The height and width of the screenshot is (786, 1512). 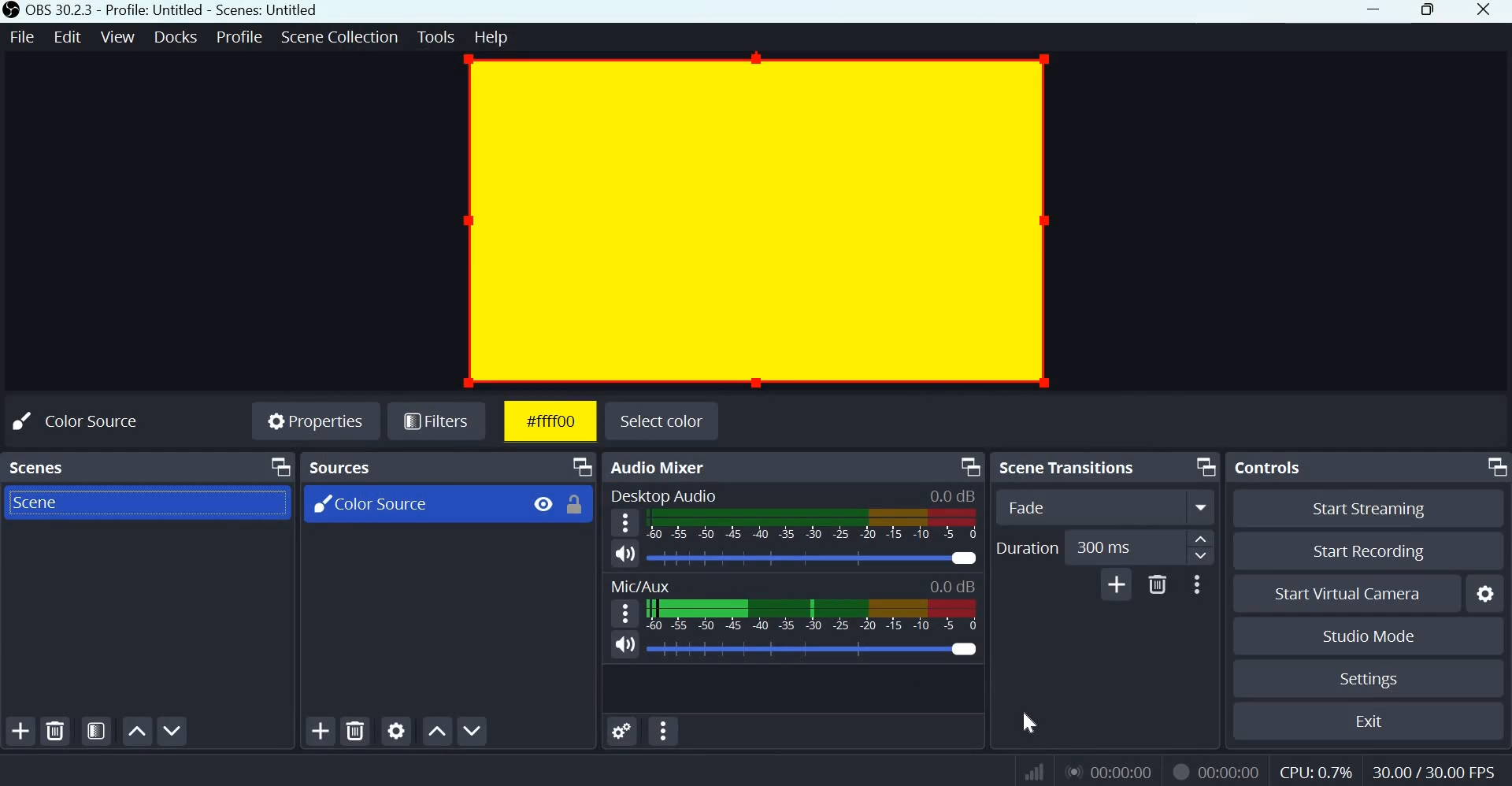 What do you see at coordinates (442, 422) in the screenshot?
I see `Filters` at bounding box center [442, 422].